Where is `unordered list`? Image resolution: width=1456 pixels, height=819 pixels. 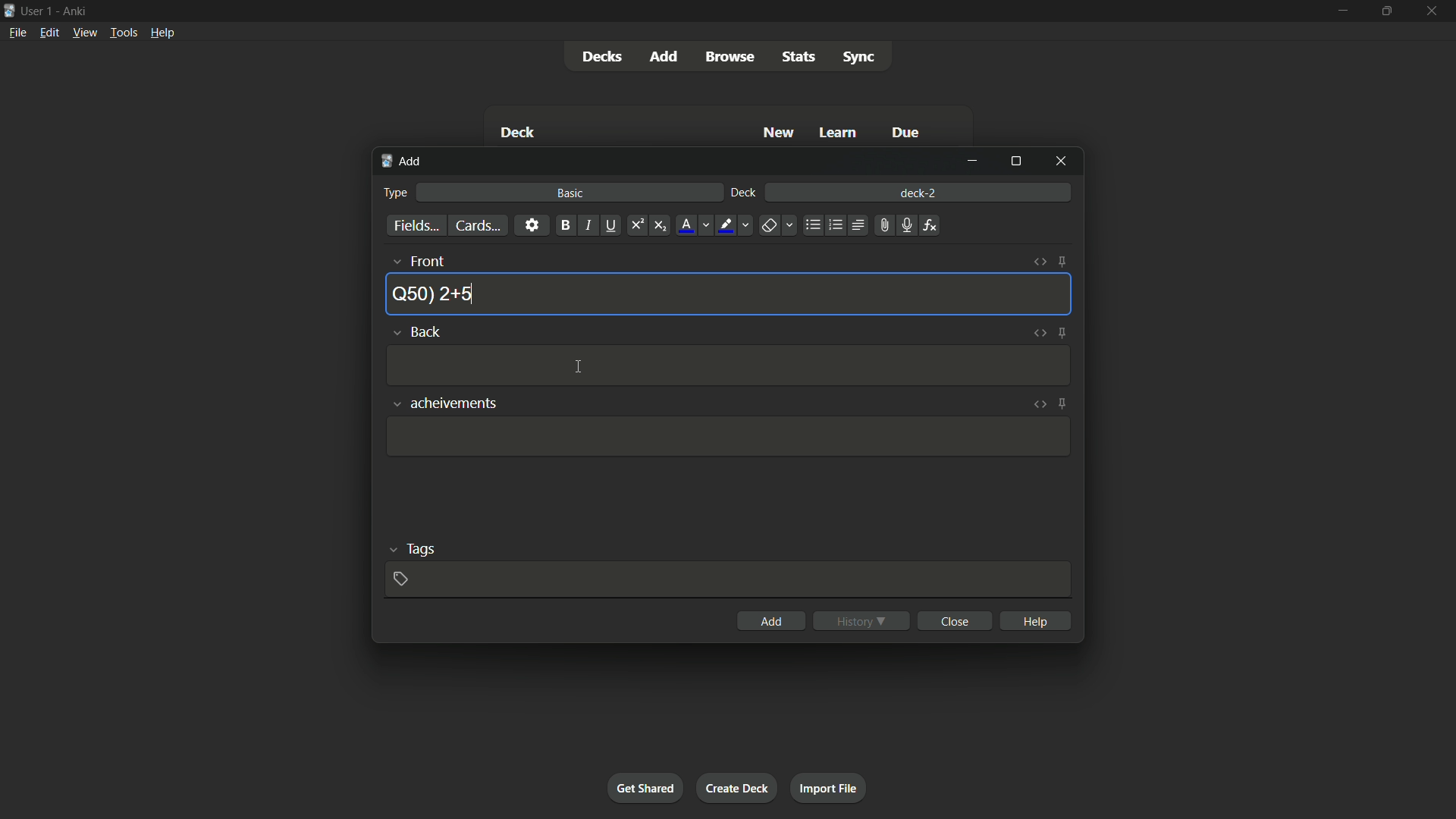
unordered list is located at coordinates (813, 226).